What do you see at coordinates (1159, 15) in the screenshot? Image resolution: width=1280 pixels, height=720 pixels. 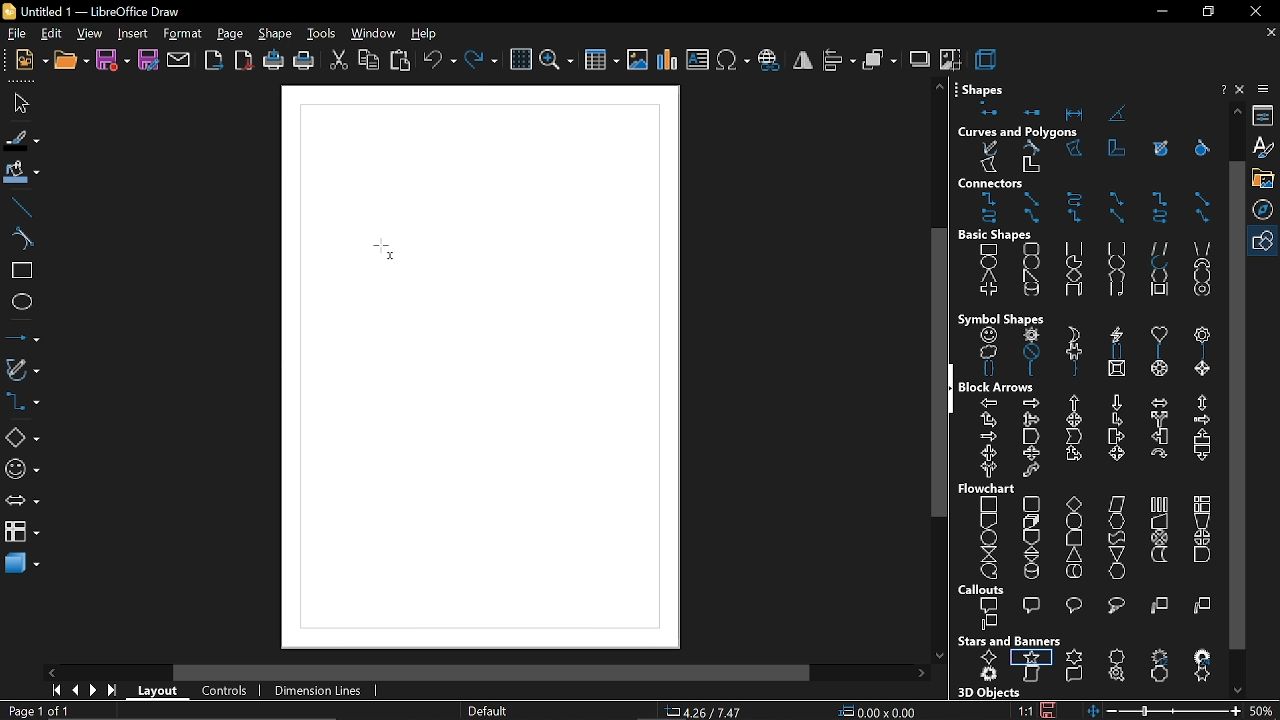 I see `minimize` at bounding box center [1159, 15].